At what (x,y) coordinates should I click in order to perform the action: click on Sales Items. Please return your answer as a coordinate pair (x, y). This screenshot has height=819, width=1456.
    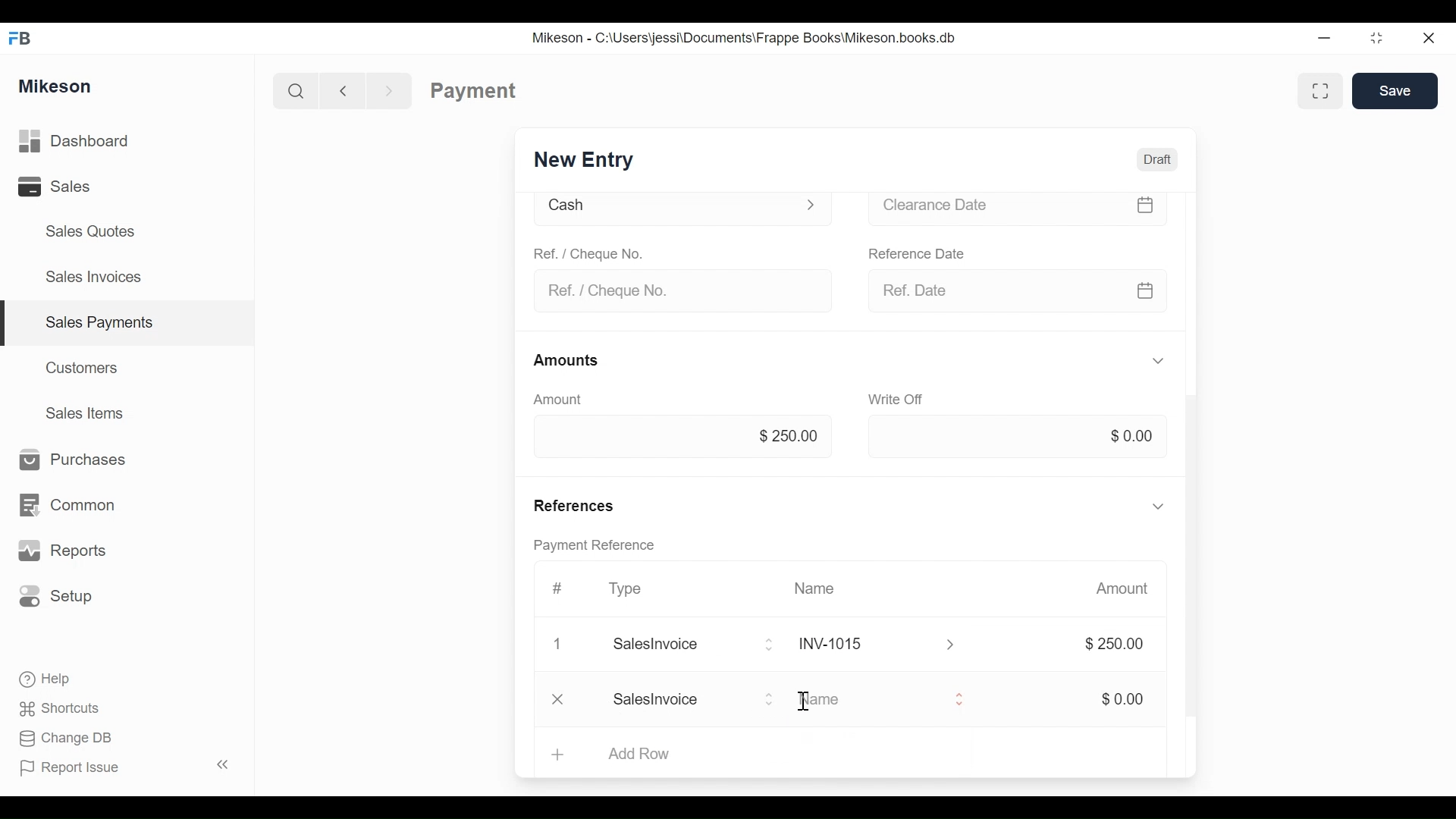
    Looking at the image, I should click on (92, 414).